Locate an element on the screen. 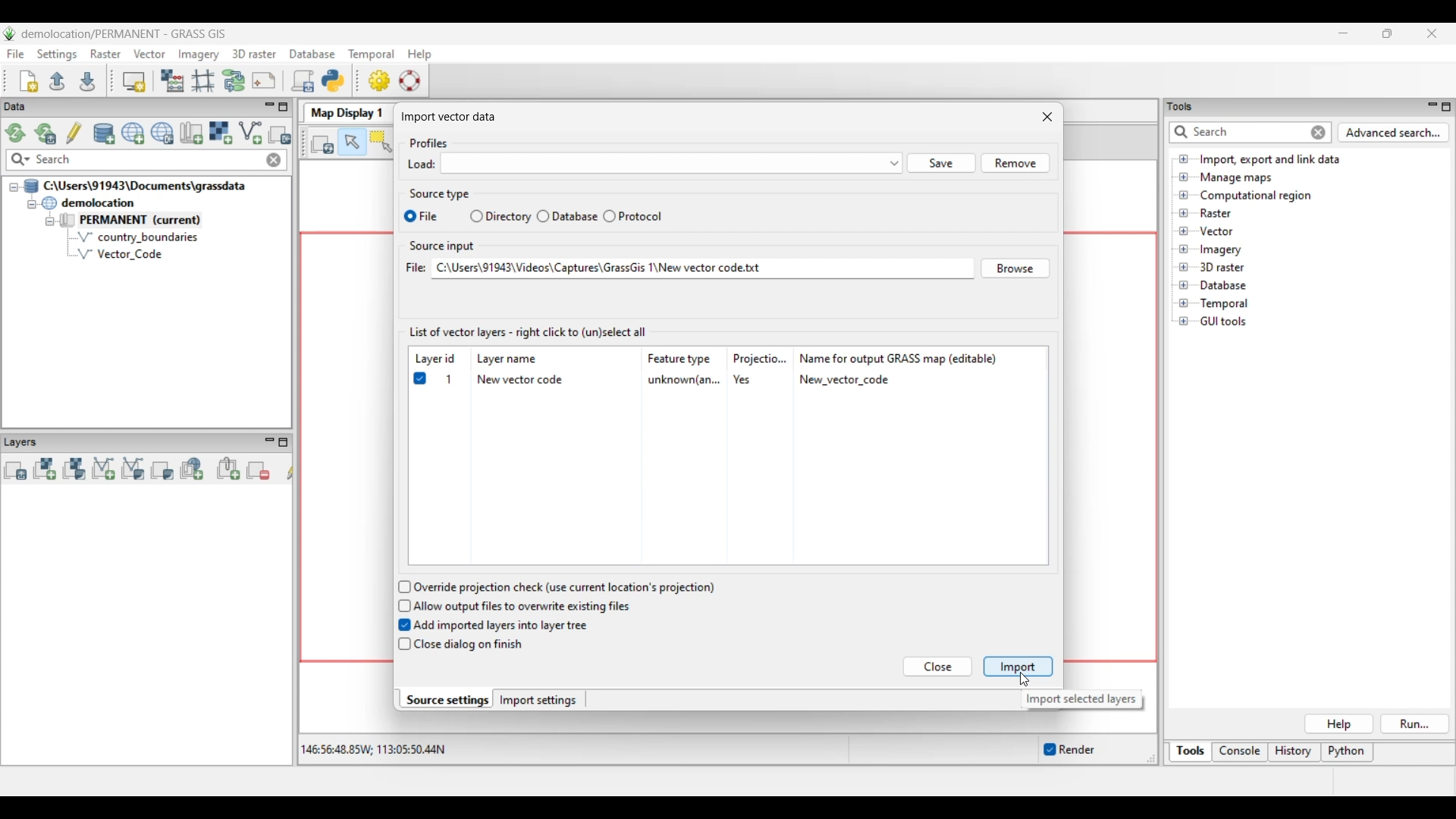 Image resolution: width=1456 pixels, height=819 pixels. Click to open Computational region is located at coordinates (1184, 195).